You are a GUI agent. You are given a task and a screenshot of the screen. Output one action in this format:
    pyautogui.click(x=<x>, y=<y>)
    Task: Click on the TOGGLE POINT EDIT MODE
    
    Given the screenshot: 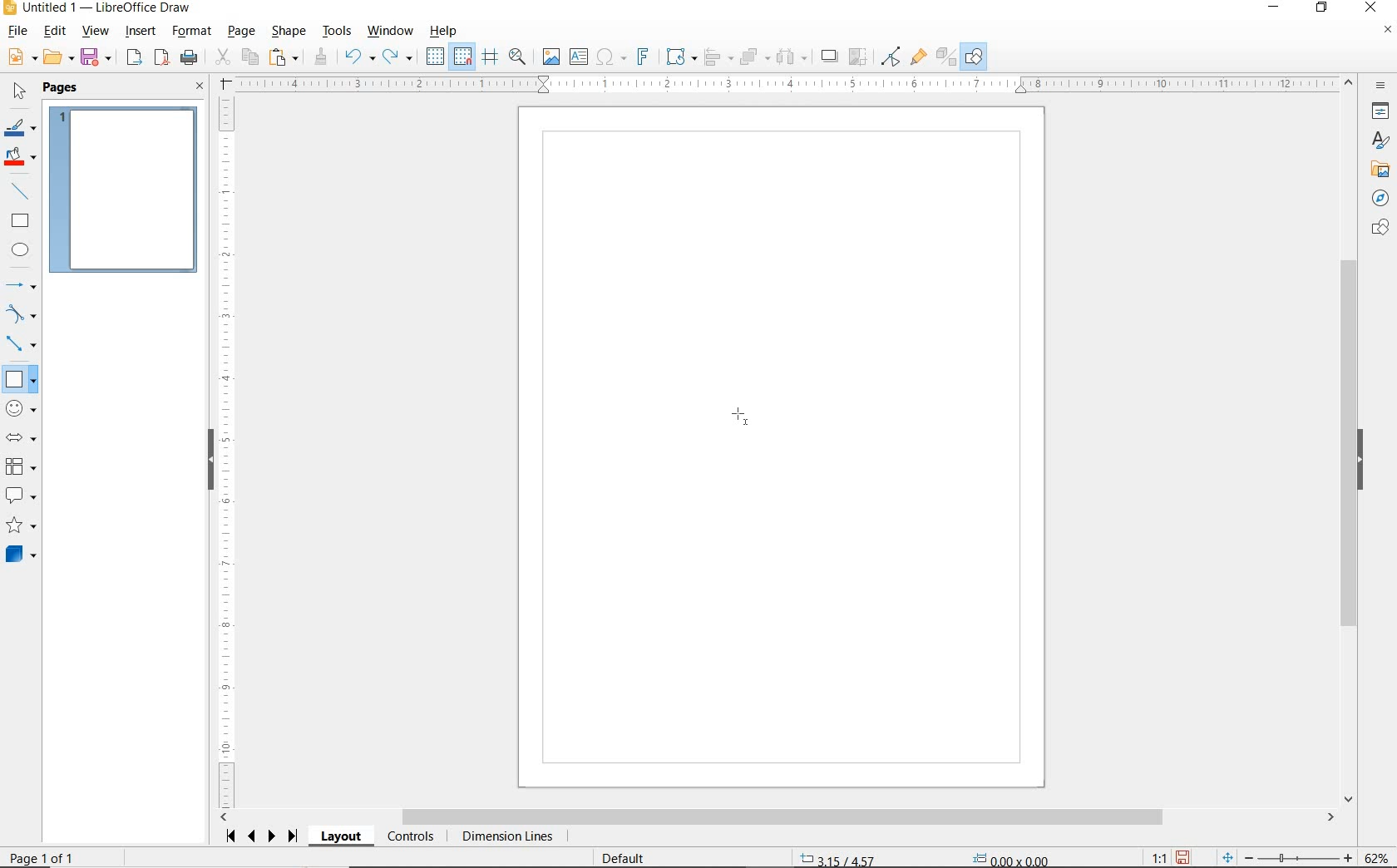 What is the action you would take?
    pyautogui.click(x=892, y=58)
    